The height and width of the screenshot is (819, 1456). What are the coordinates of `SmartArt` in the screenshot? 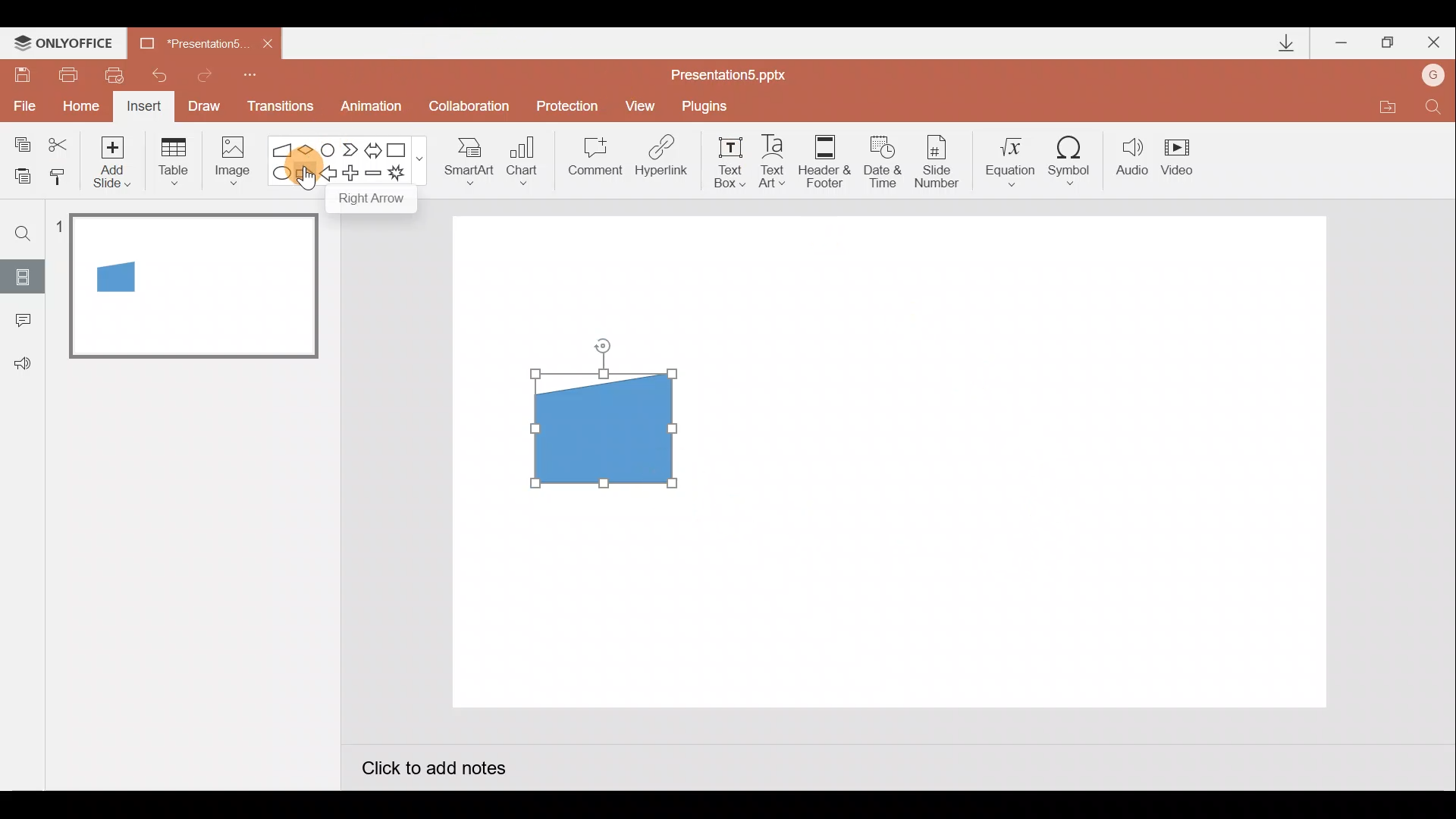 It's located at (463, 160).